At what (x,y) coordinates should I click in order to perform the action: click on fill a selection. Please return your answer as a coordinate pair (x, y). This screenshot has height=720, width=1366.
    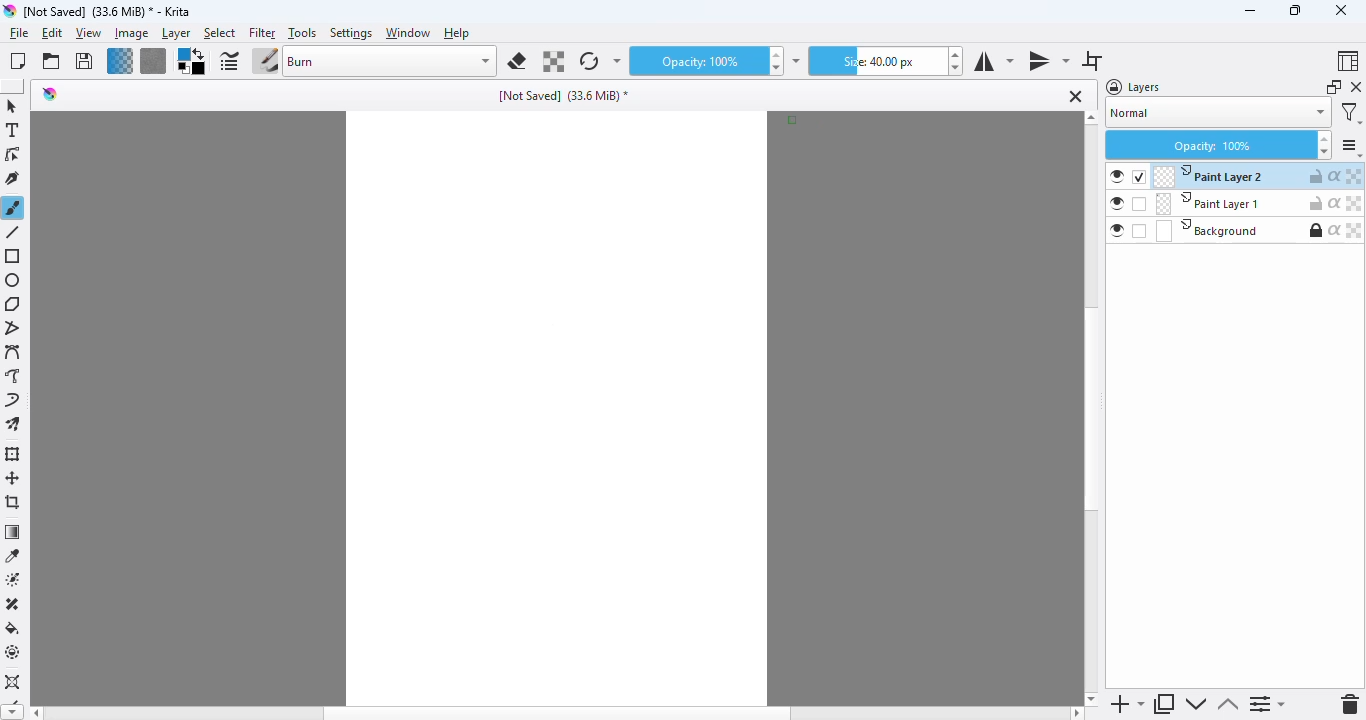
    Looking at the image, I should click on (13, 628).